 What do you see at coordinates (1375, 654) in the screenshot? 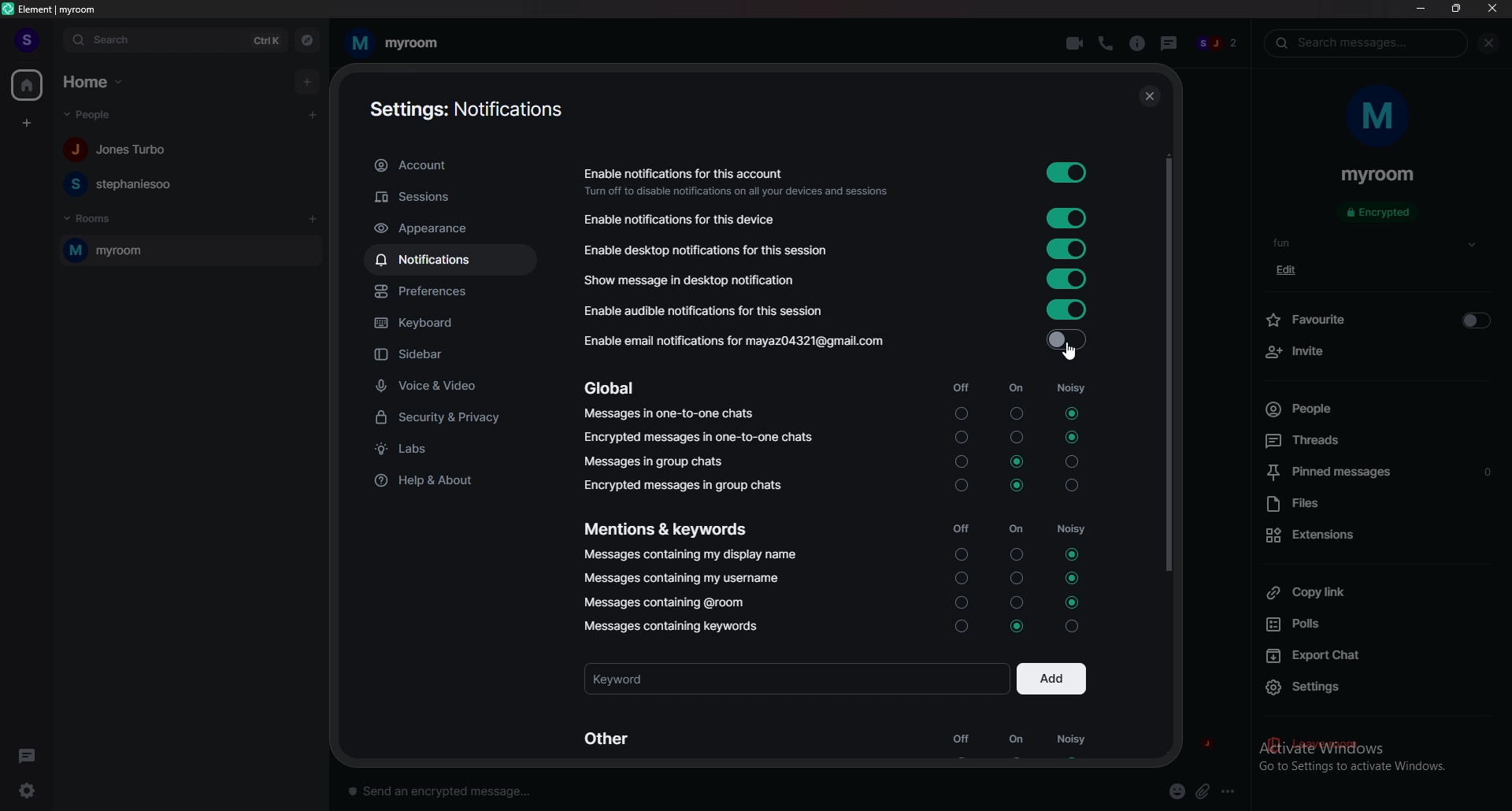
I see `export chat` at bounding box center [1375, 654].